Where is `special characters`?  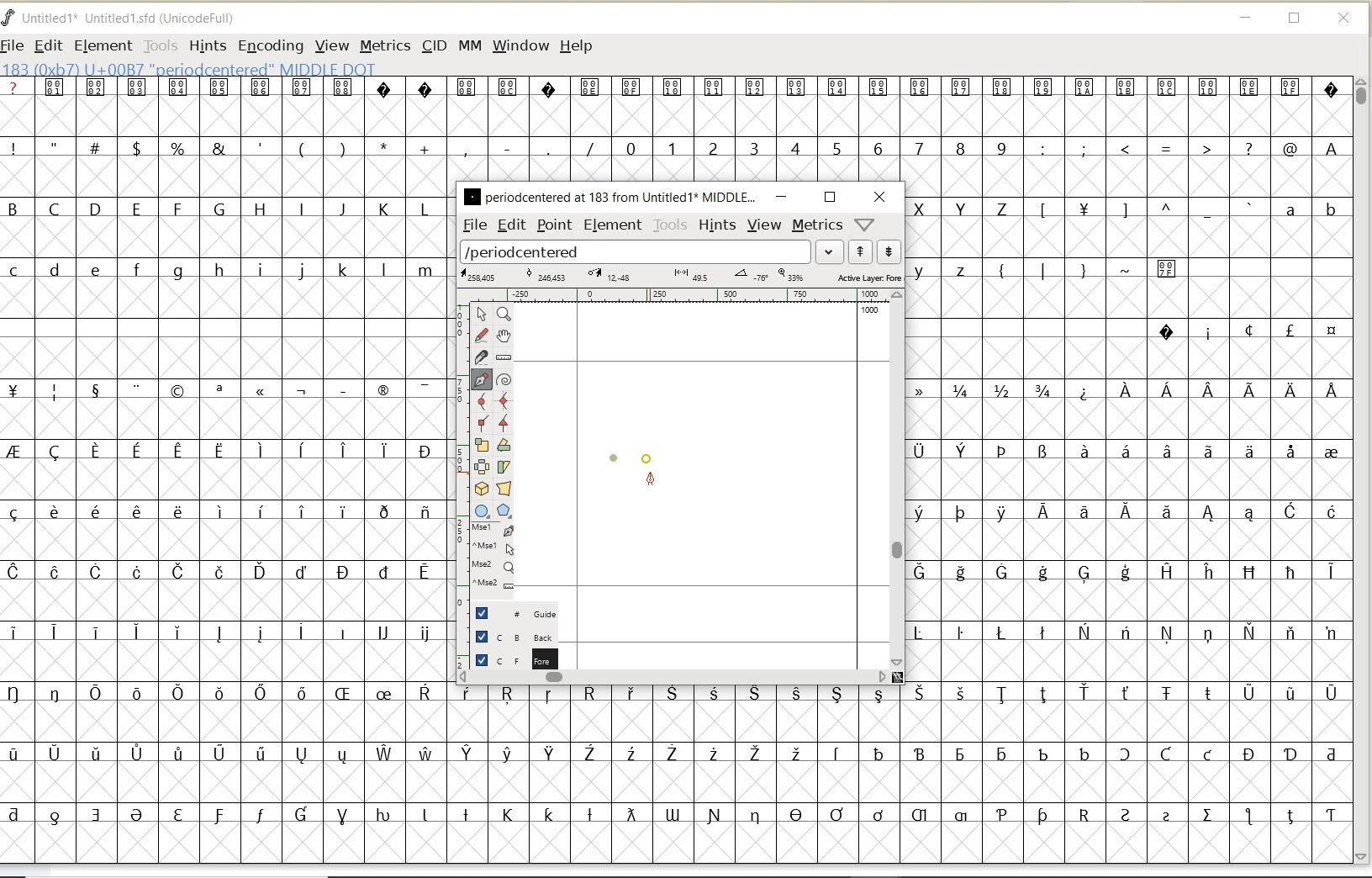 special characters is located at coordinates (1131, 526).